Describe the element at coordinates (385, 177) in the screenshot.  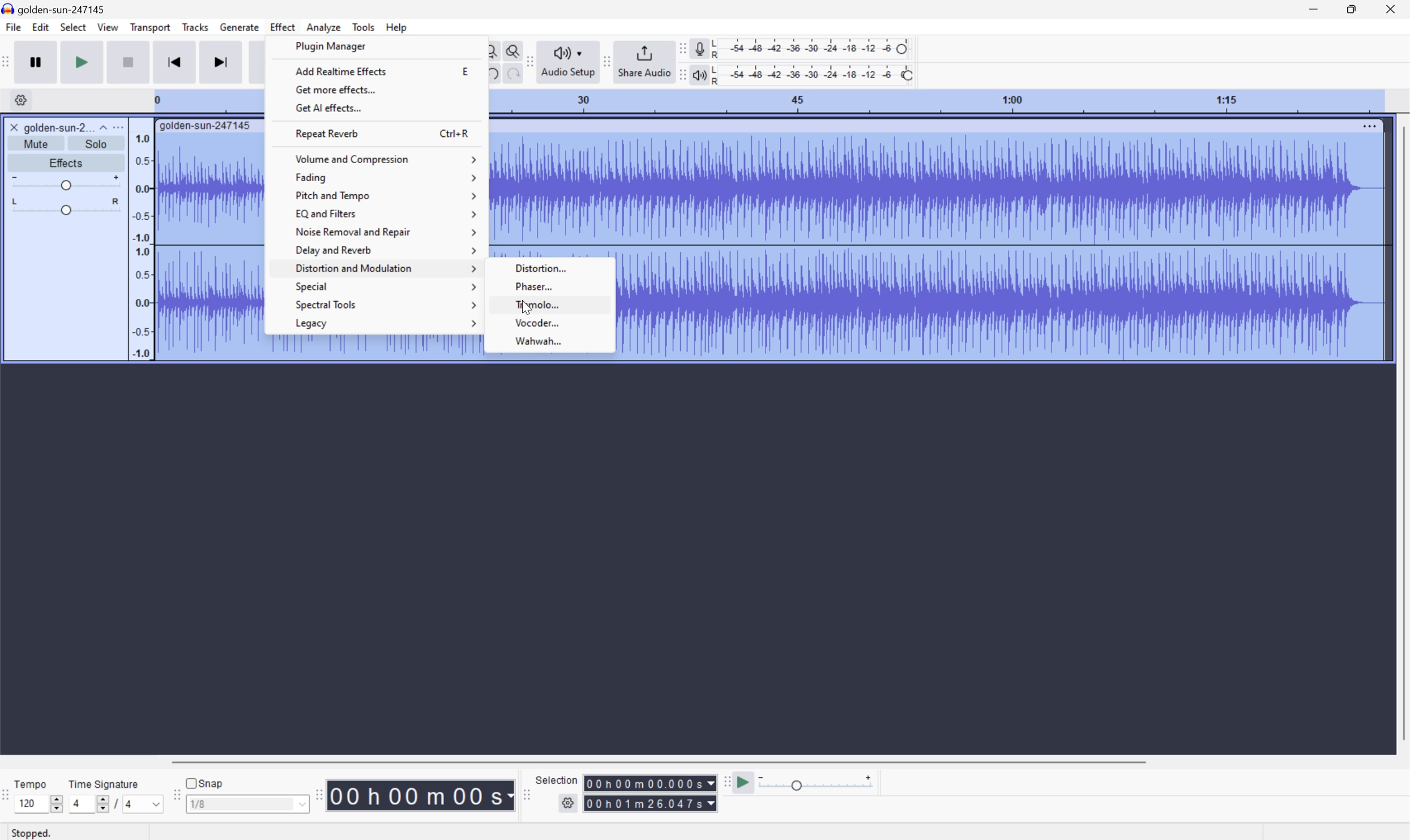
I see `Fading` at that location.